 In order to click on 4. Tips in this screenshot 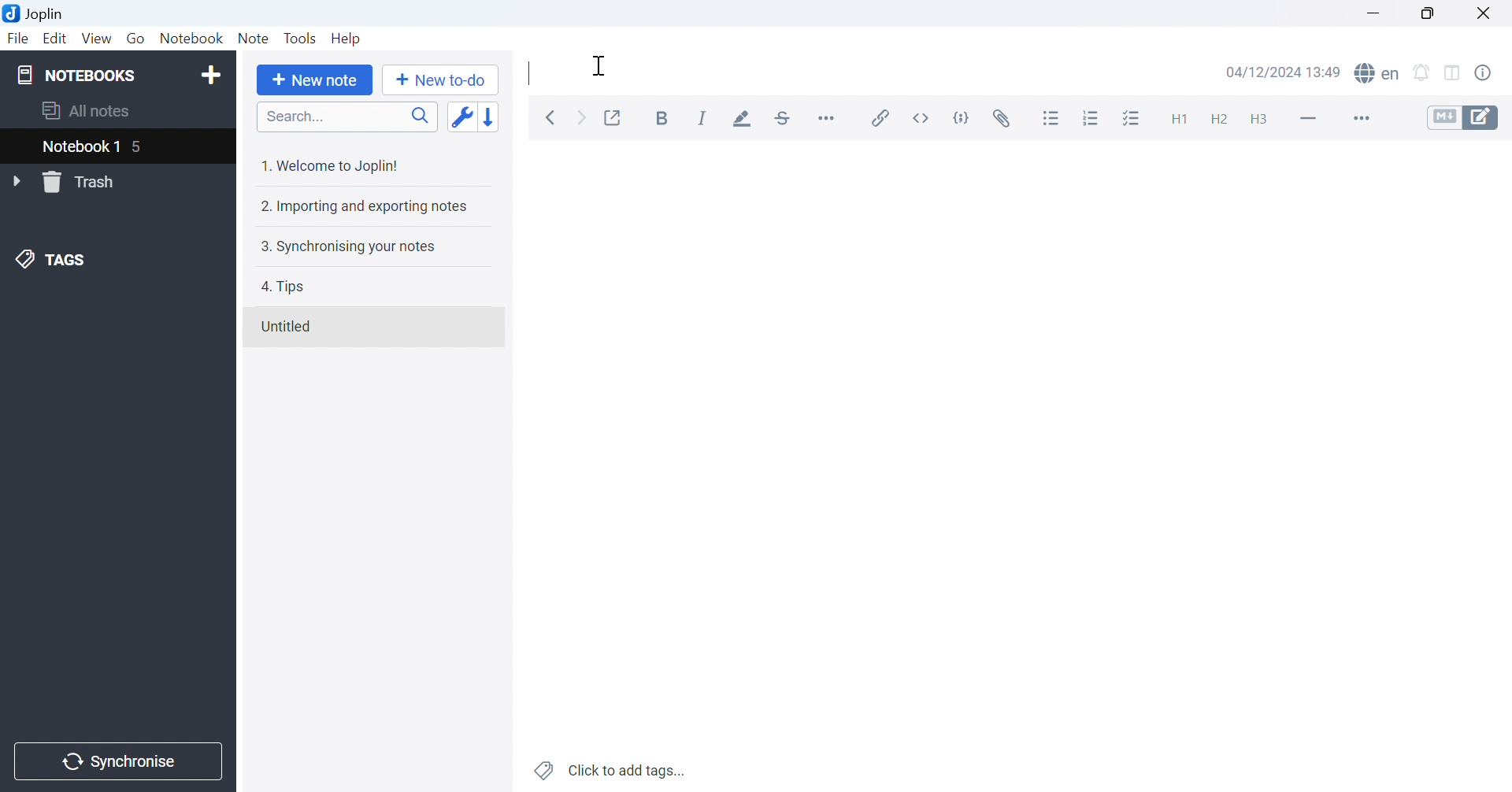, I will do `click(289, 288)`.